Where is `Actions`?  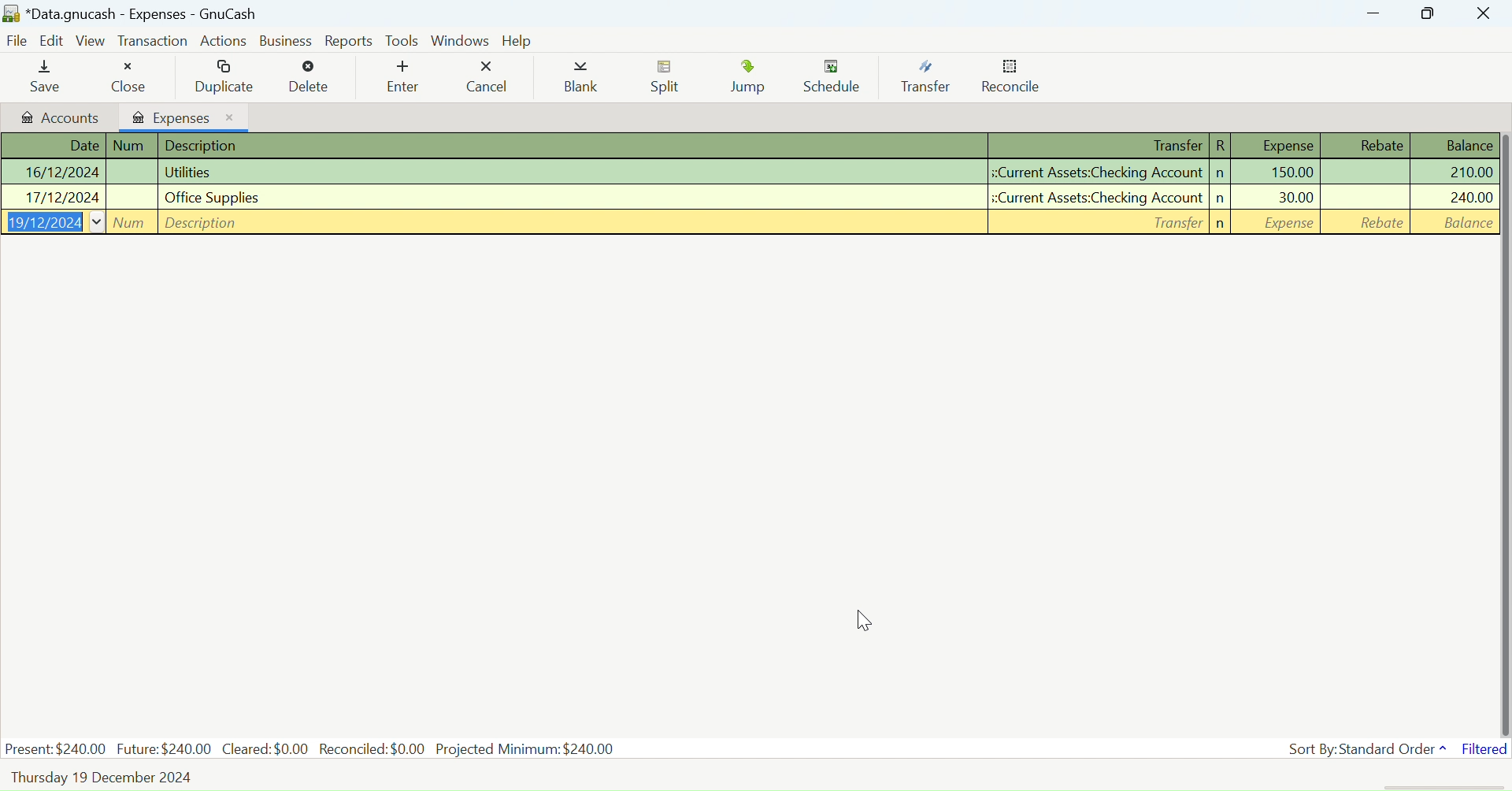 Actions is located at coordinates (226, 40).